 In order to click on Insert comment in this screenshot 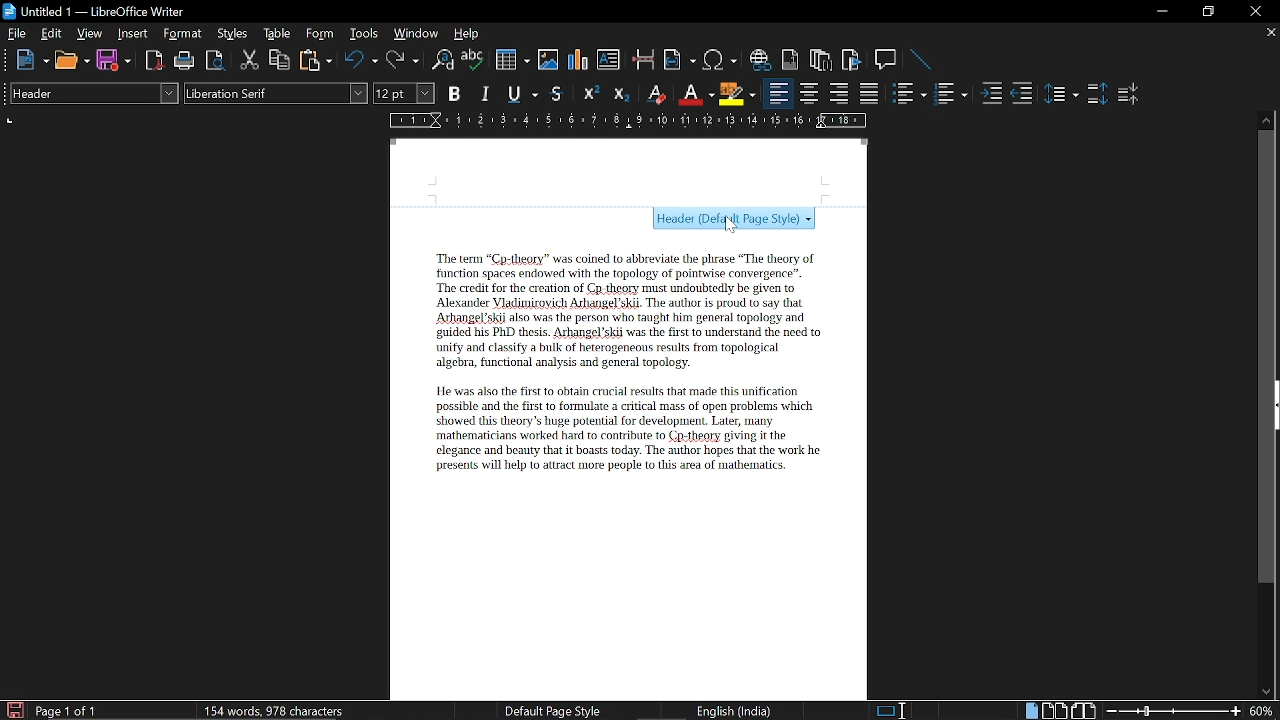, I will do `click(888, 60)`.